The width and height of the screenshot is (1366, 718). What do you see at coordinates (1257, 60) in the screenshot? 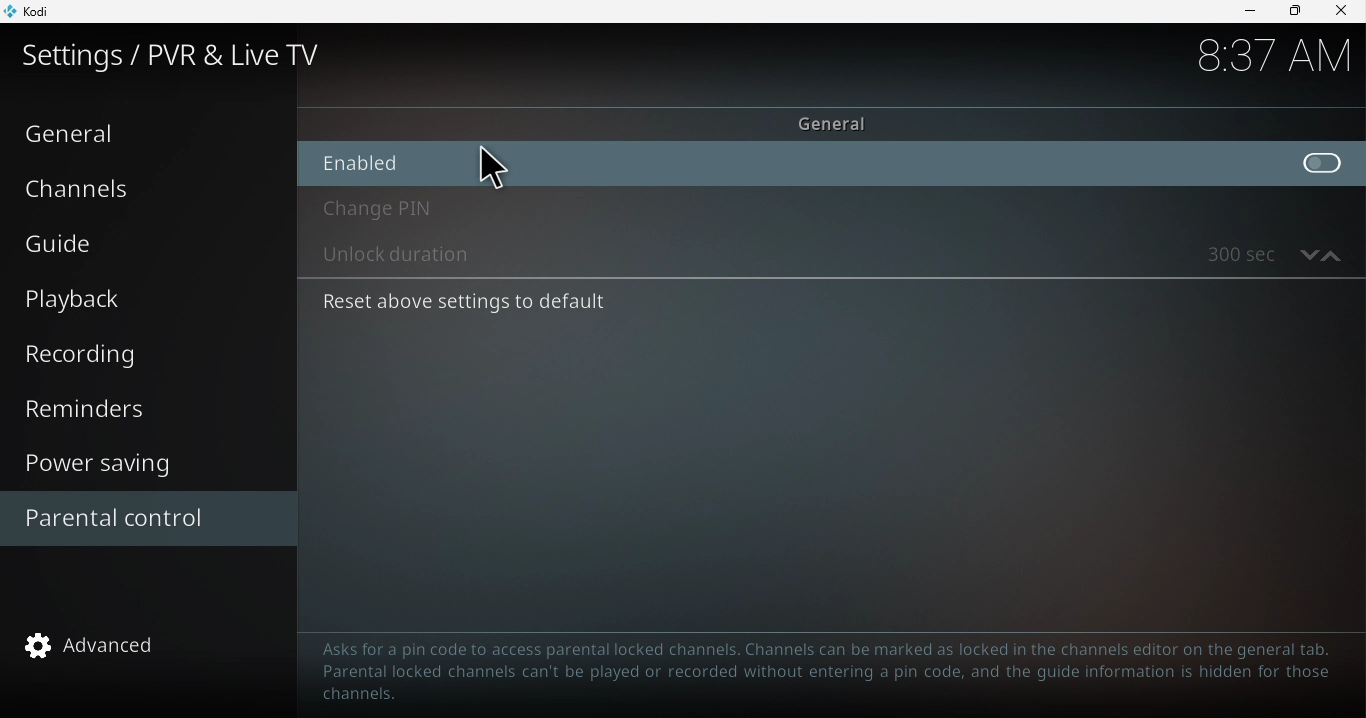
I see `time` at bounding box center [1257, 60].